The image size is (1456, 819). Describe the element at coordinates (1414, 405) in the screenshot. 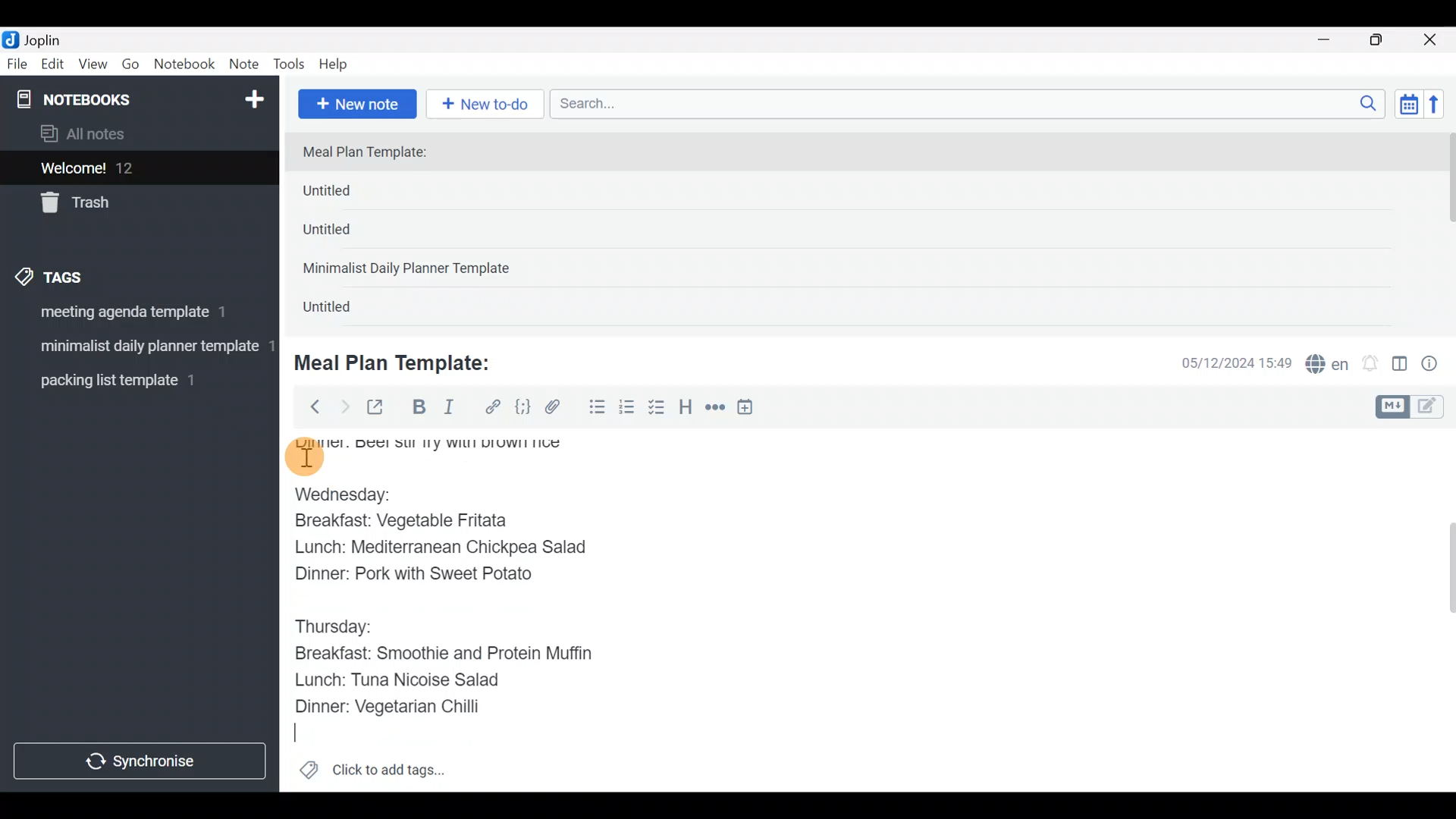

I see `Toggle editors` at that location.